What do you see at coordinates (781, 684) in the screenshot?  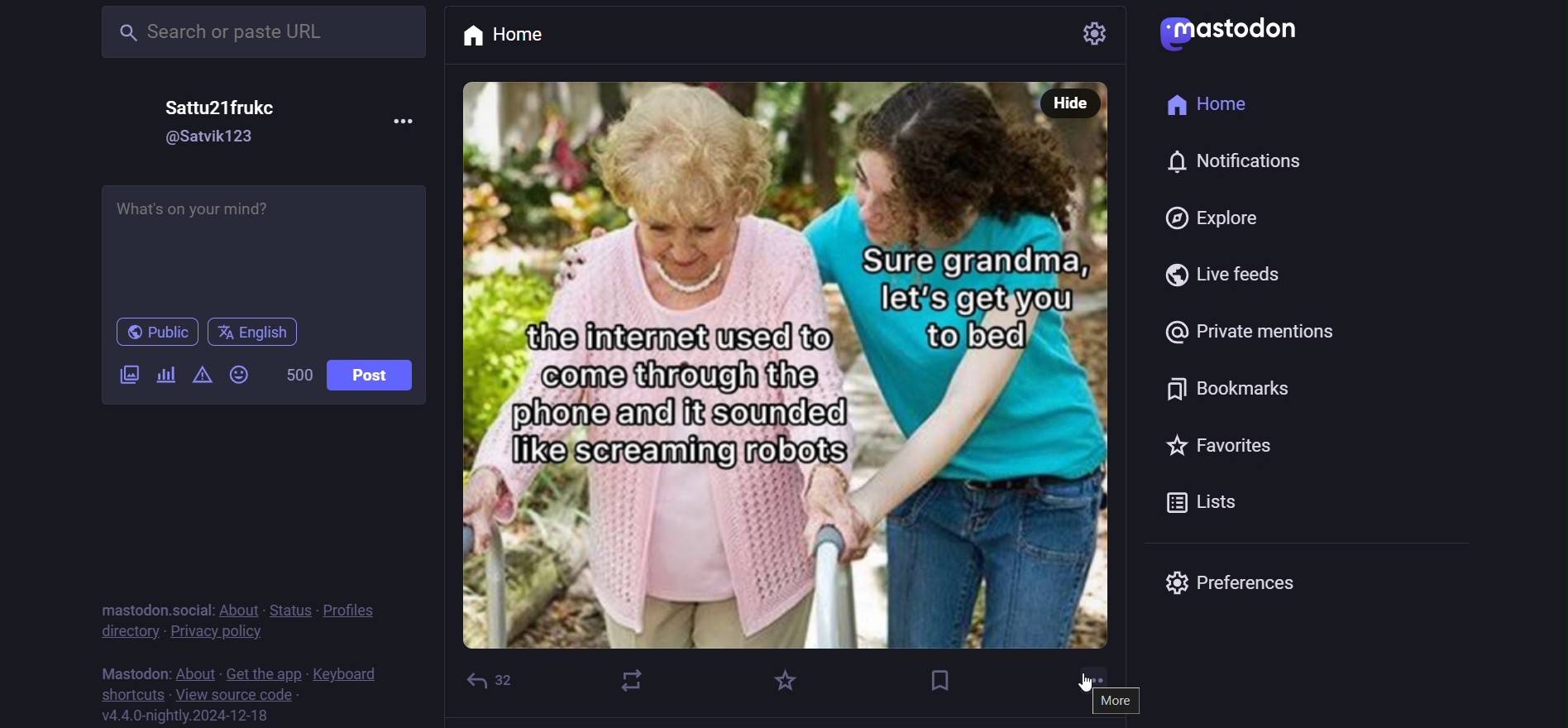 I see `favorite` at bounding box center [781, 684].